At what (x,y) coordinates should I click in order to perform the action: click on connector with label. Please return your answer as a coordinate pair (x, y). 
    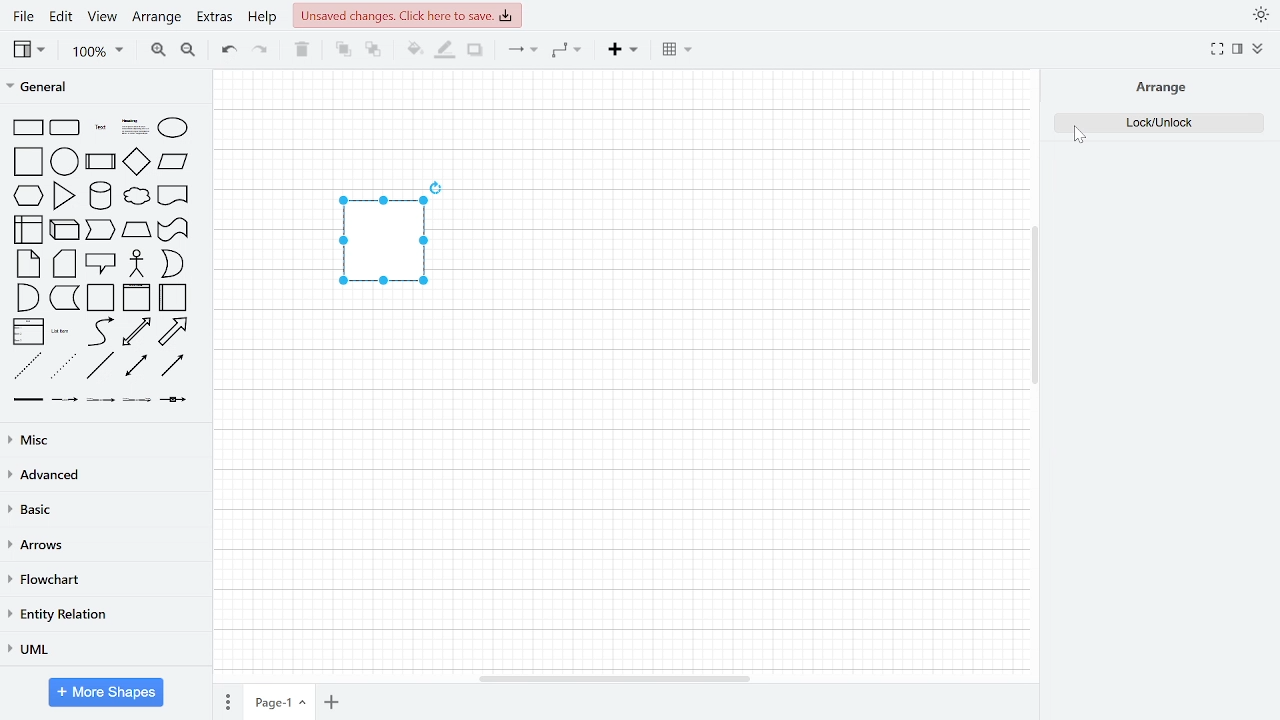
    Looking at the image, I should click on (64, 400).